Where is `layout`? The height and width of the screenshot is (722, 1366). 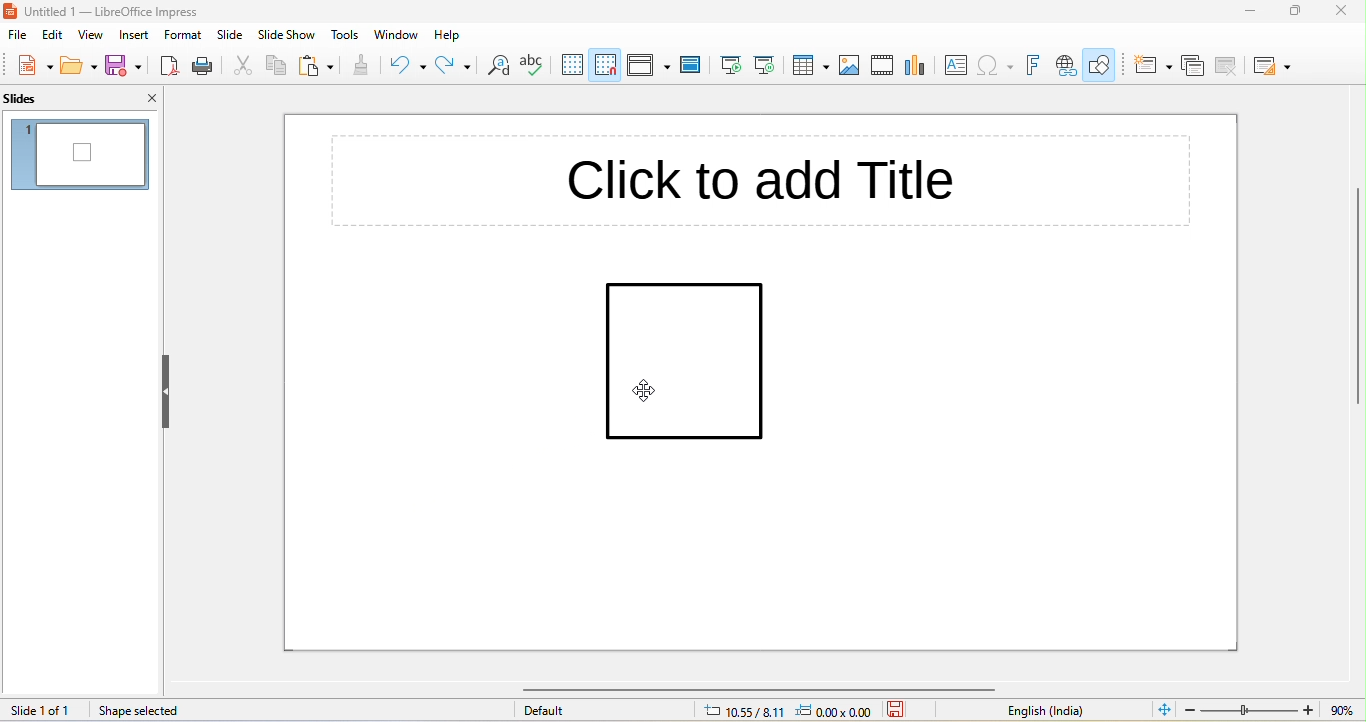 layout is located at coordinates (1273, 67).